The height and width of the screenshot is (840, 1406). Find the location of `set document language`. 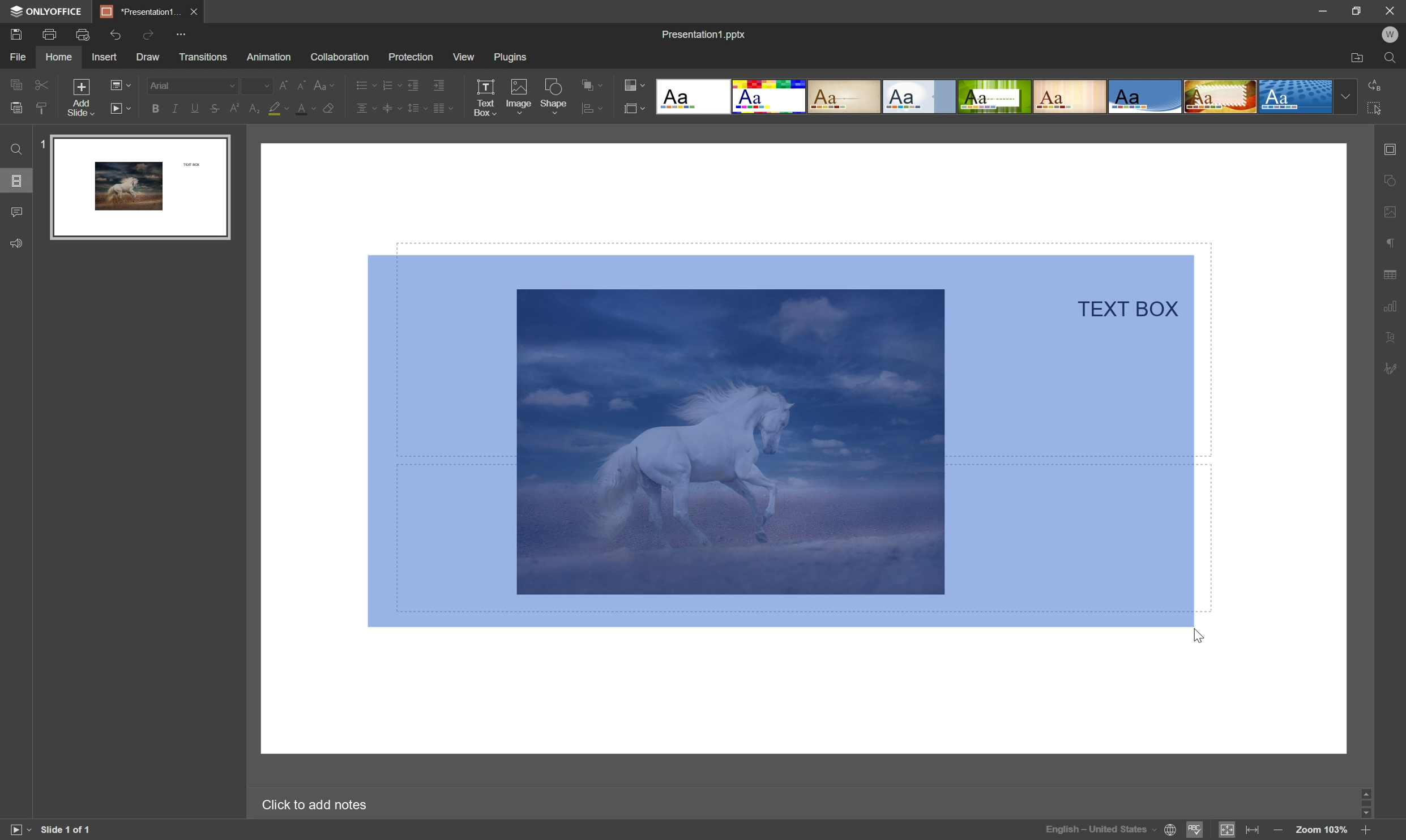

set document language is located at coordinates (1112, 829).